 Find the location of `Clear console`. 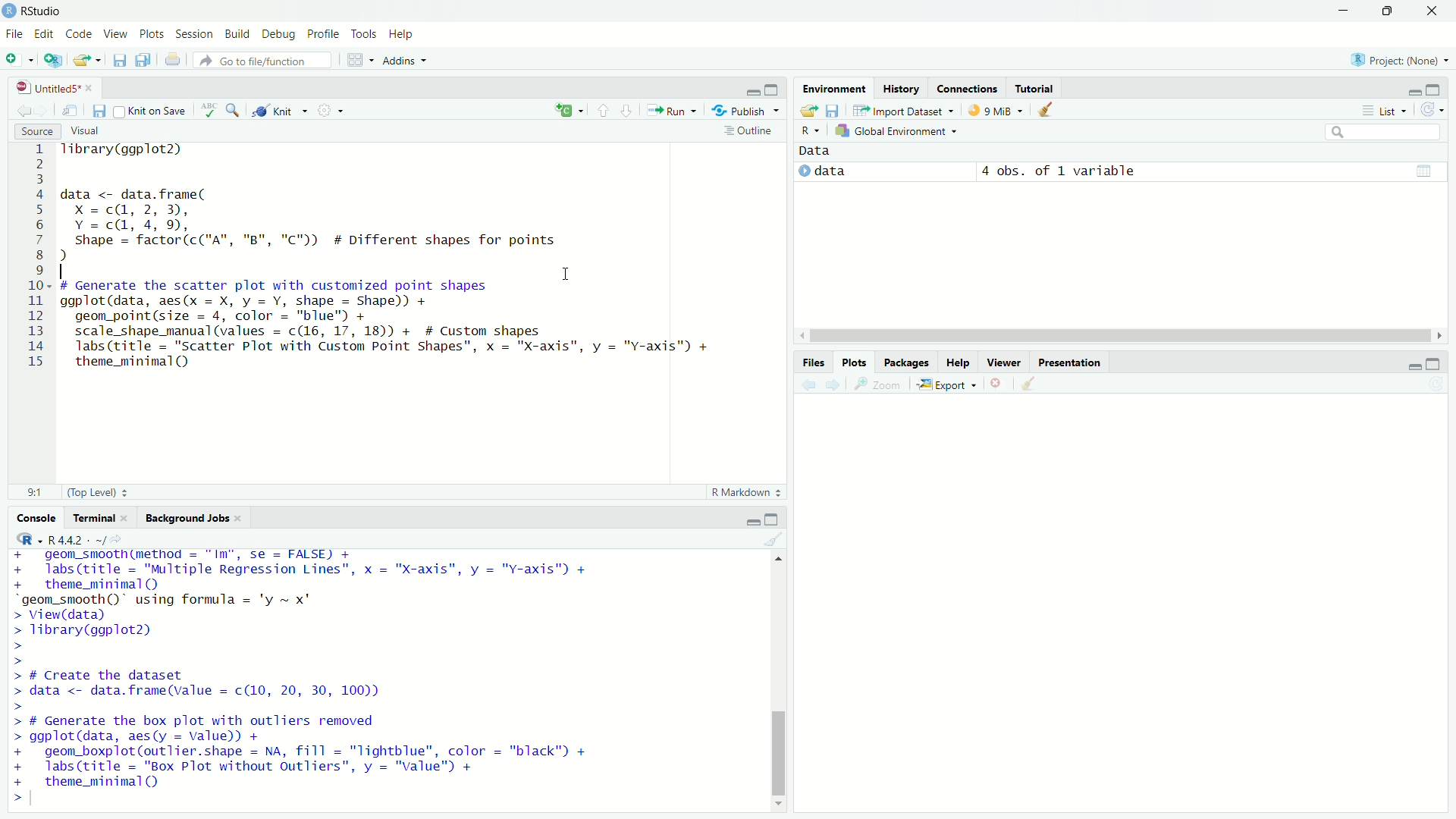

Clear console is located at coordinates (774, 539).